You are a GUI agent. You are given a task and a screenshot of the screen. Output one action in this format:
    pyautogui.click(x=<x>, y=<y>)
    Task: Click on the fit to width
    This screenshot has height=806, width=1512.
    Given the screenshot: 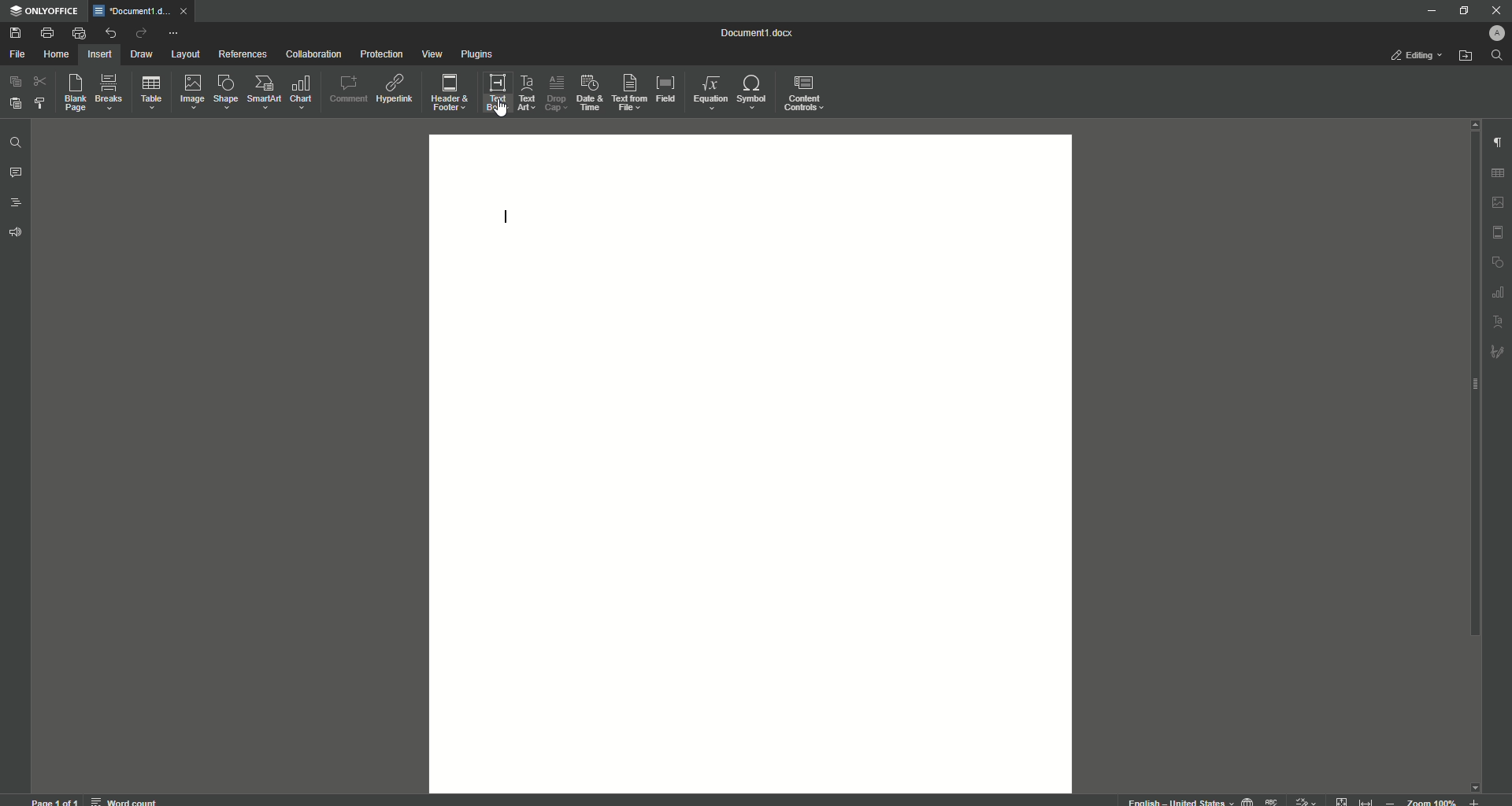 What is the action you would take?
    pyautogui.click(x=1369, y=800)
    